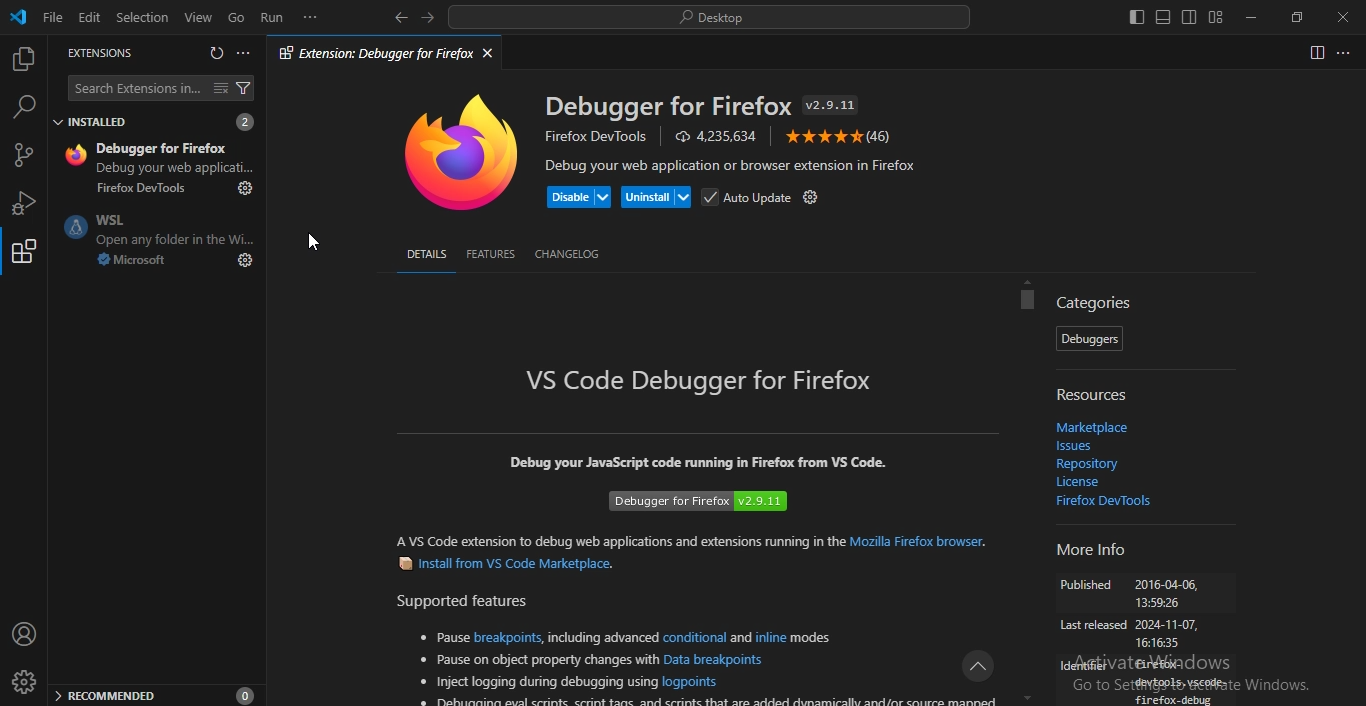 This screenshot has width=1366, height=706. What do you see at coordinates (88, 17) in the screenshot?
I see `edit` at bounding box center [88, 17].